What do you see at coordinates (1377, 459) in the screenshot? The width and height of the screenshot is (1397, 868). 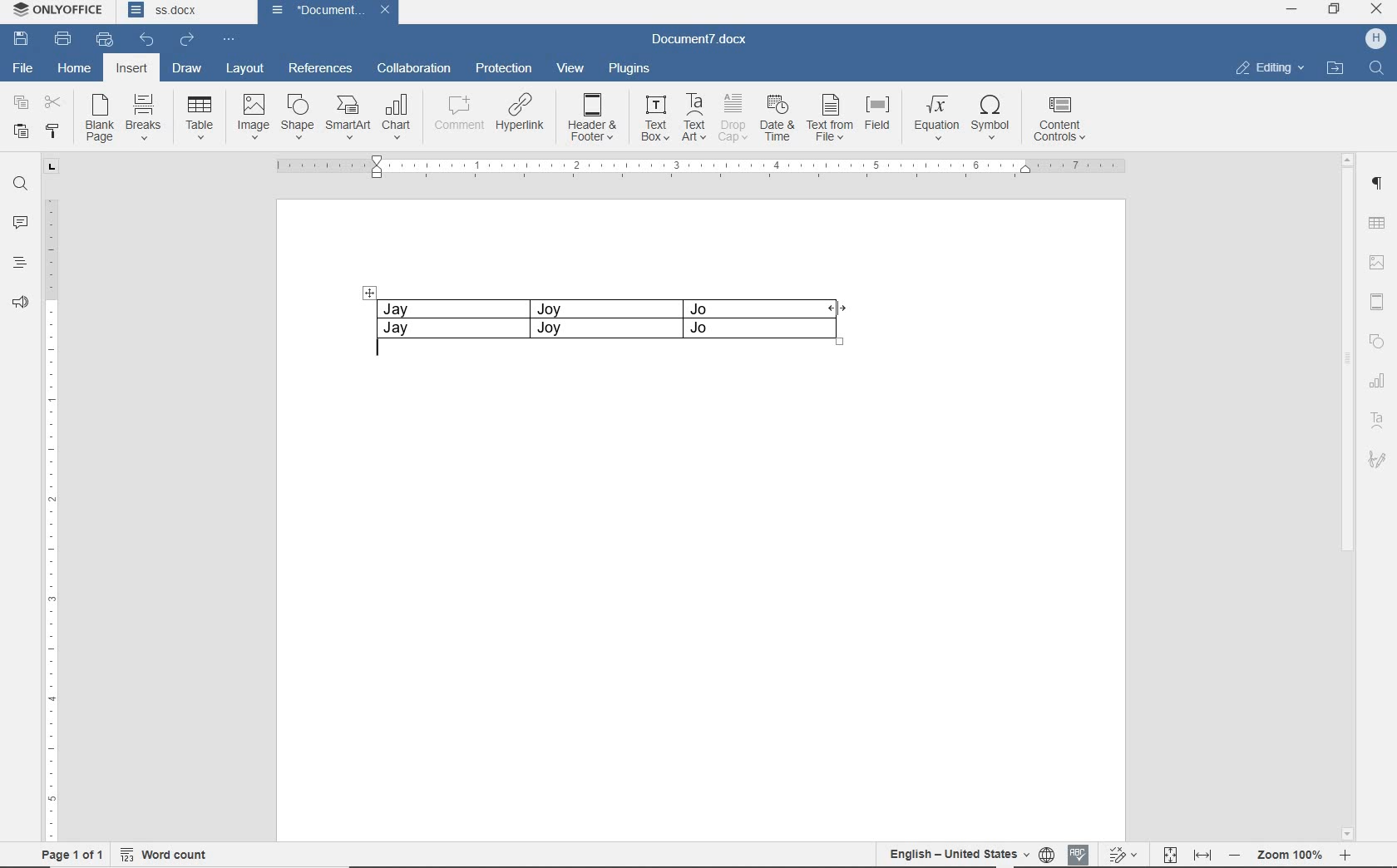 I see `SIGNATURE` at bounding box center [1377, 459].